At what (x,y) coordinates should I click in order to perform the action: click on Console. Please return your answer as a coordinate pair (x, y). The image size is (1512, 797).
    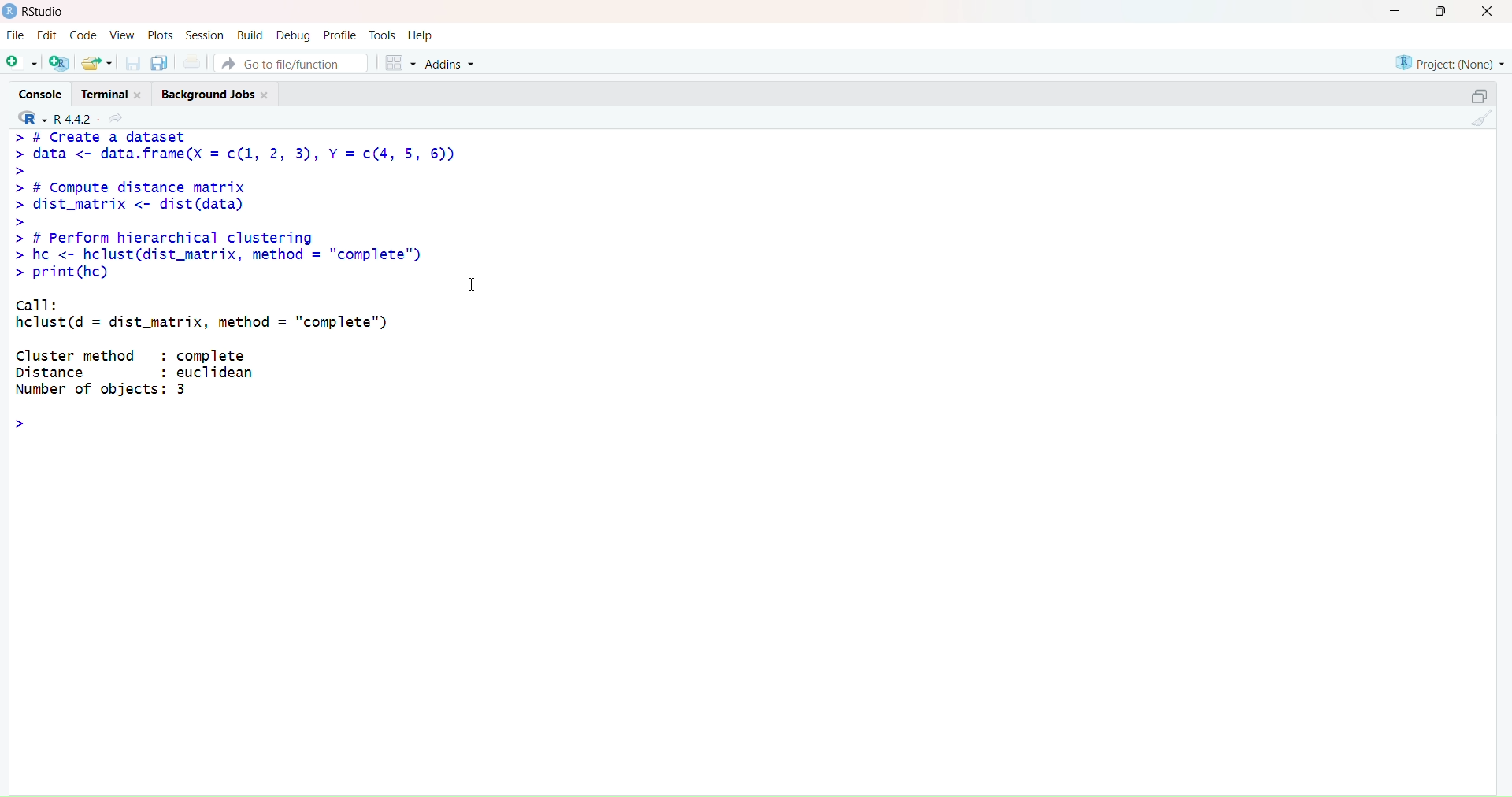
    Looking at the image, I should click on (35, 95).